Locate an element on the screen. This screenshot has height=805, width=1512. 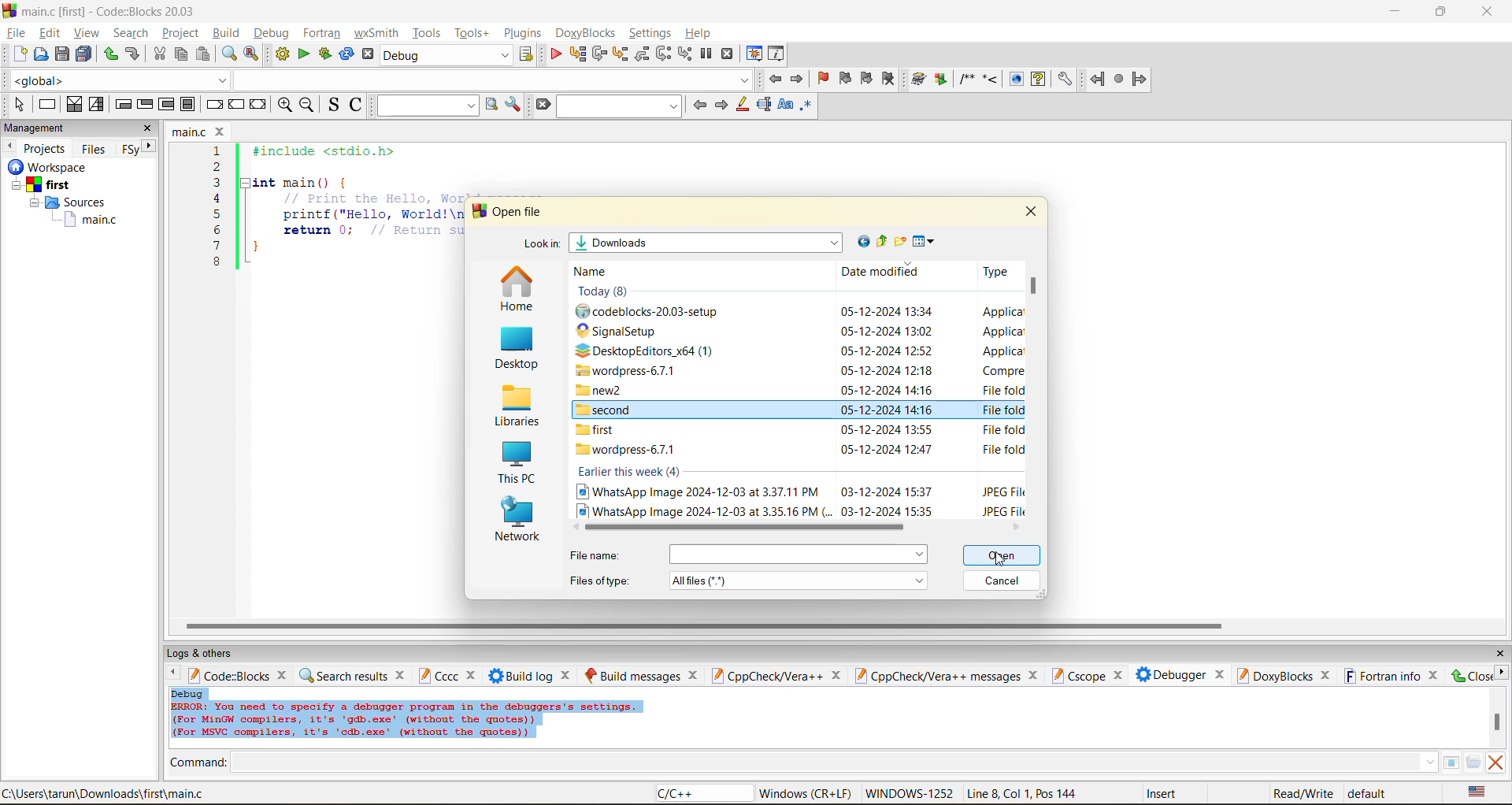
6 is located at coordinates (217, 229).